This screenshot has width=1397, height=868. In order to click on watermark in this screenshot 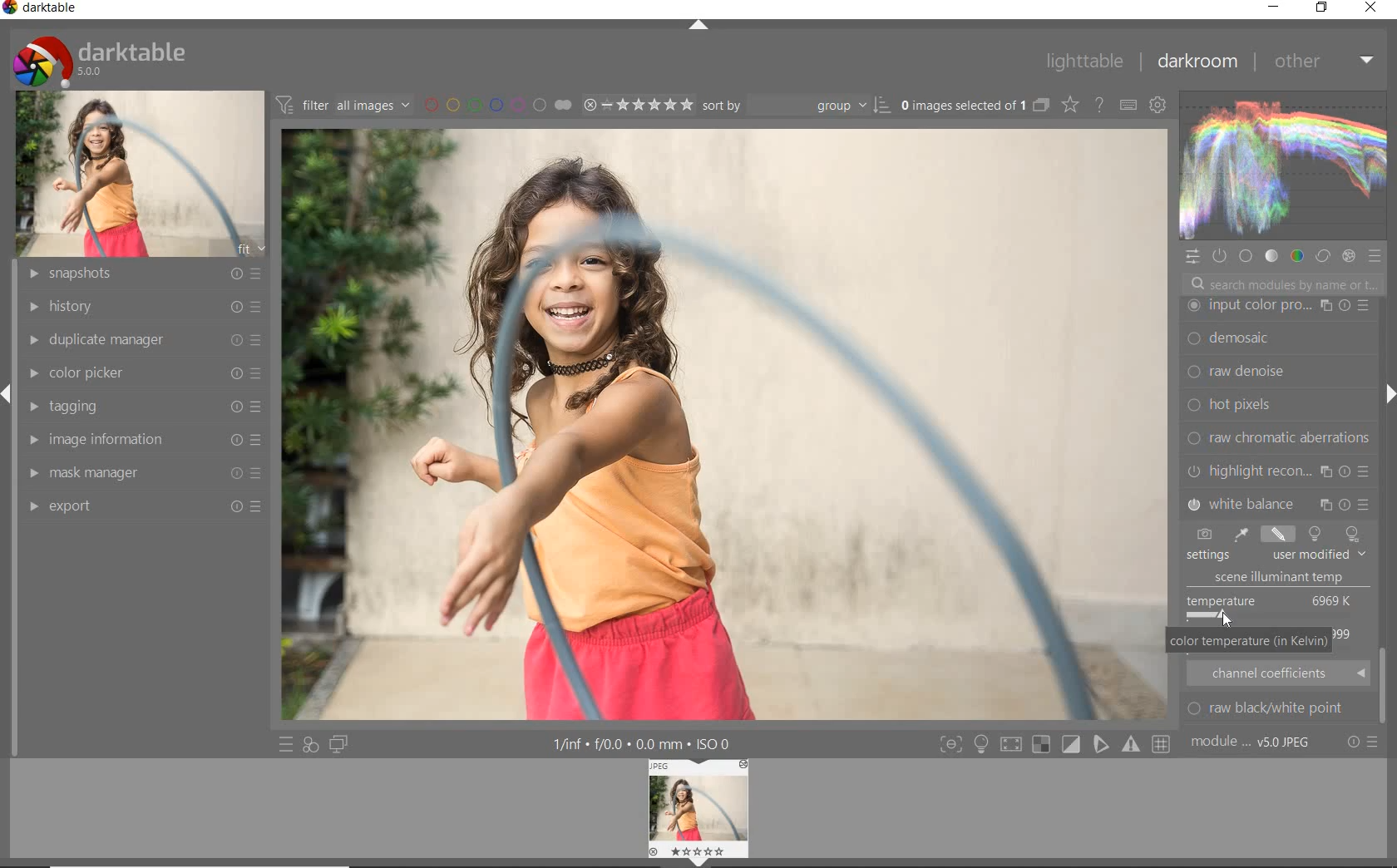, I will do `click(1277, 306)`.